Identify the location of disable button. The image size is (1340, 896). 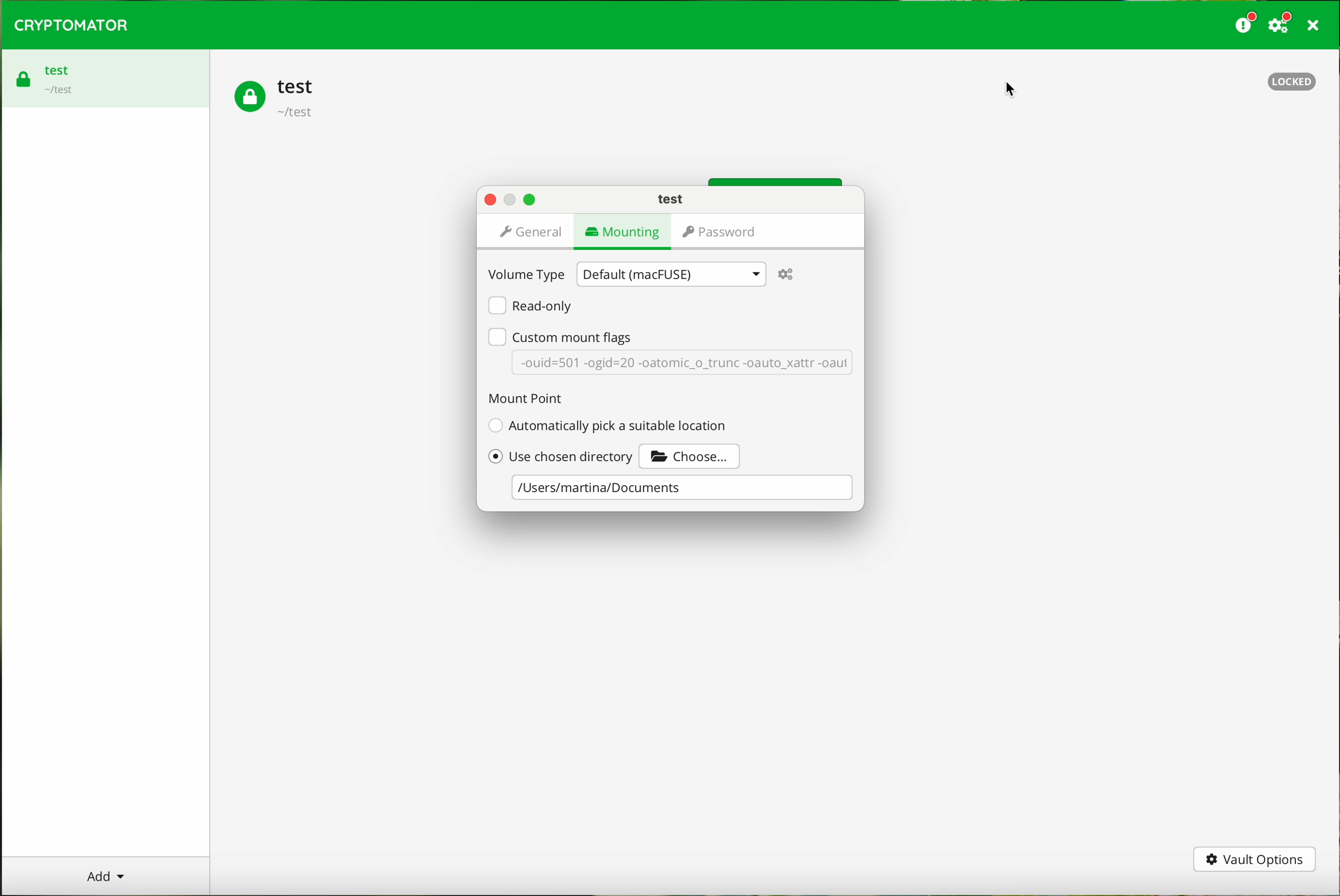
(511, 201).